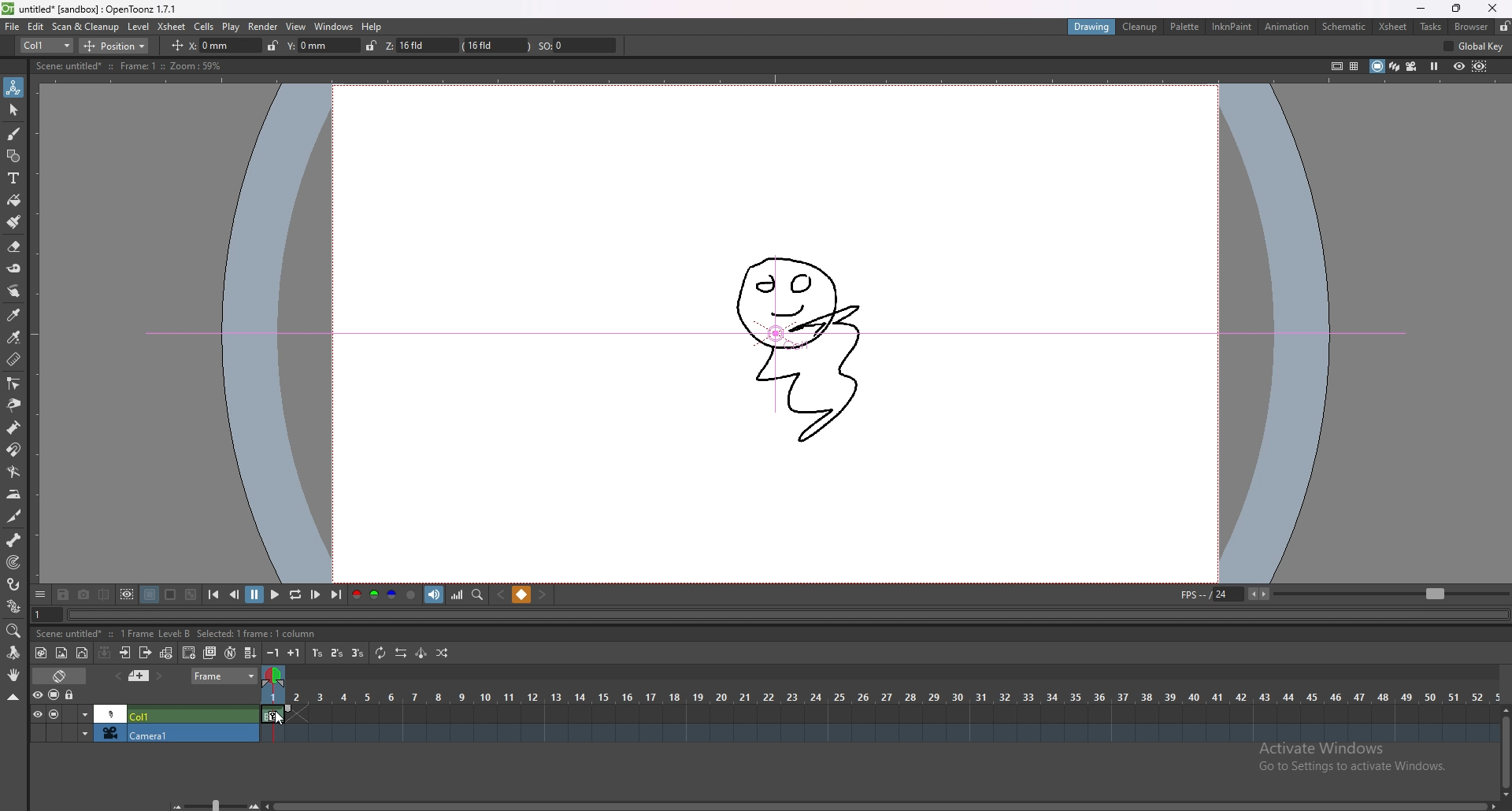 The height and width of the screenshot is (811, 1512). I want to click on tasks, so click(1431, 26).